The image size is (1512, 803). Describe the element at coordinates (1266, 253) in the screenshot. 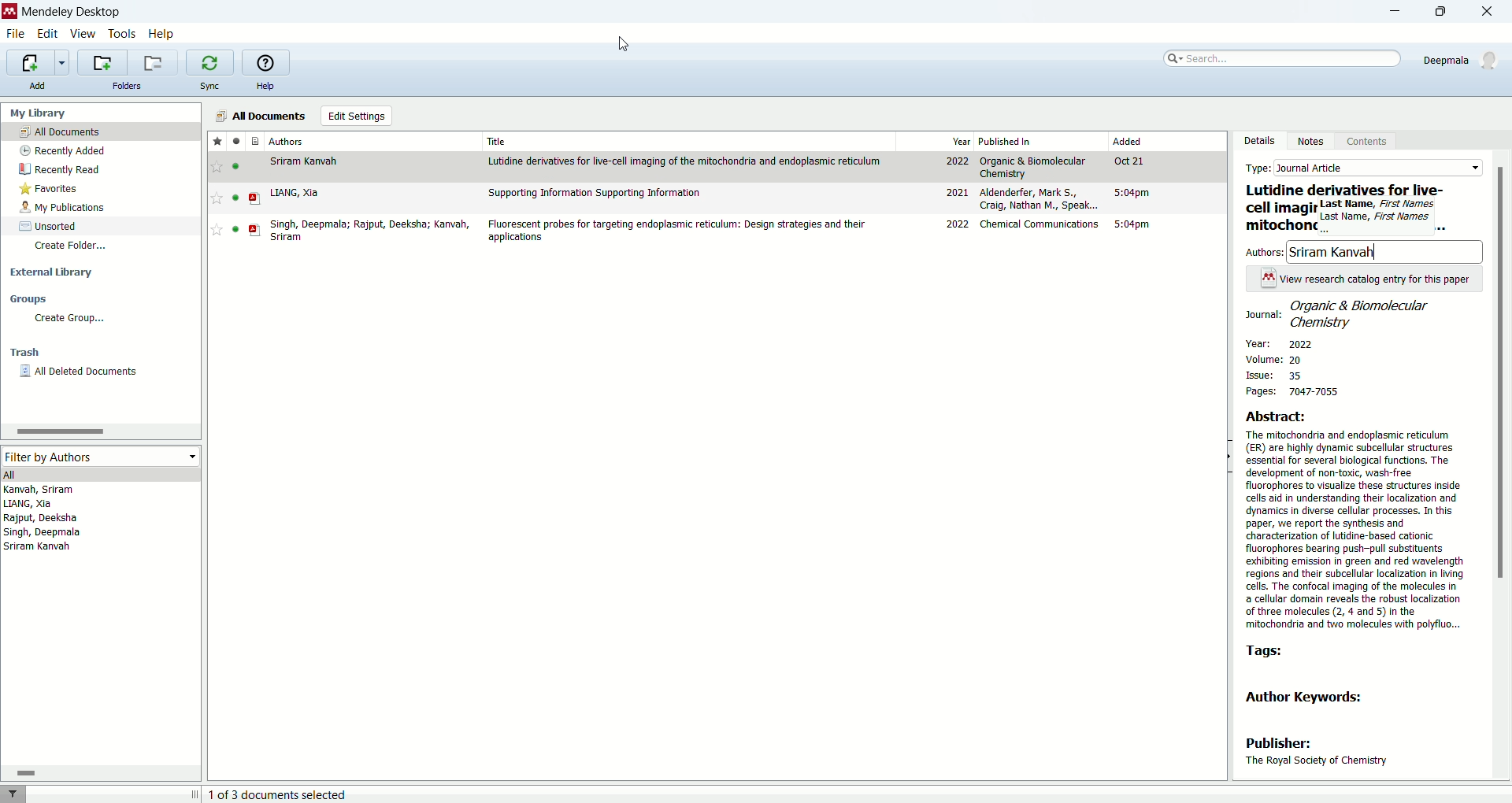

I see `author` at that location.